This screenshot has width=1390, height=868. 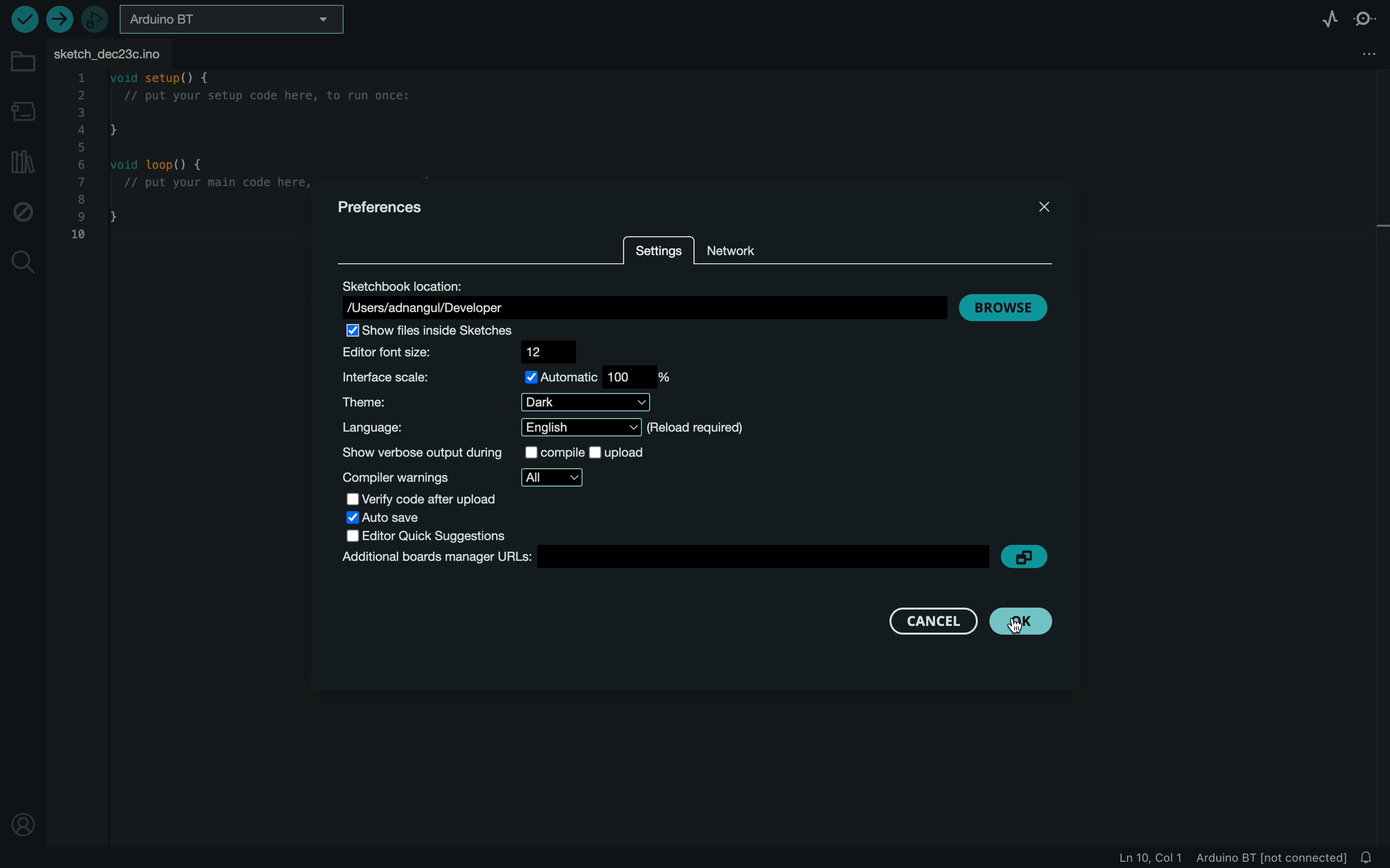 What do you see at coordinates (1027, 623) in the screenshot?
I see `cursor` at bounding box center [1027, 623].